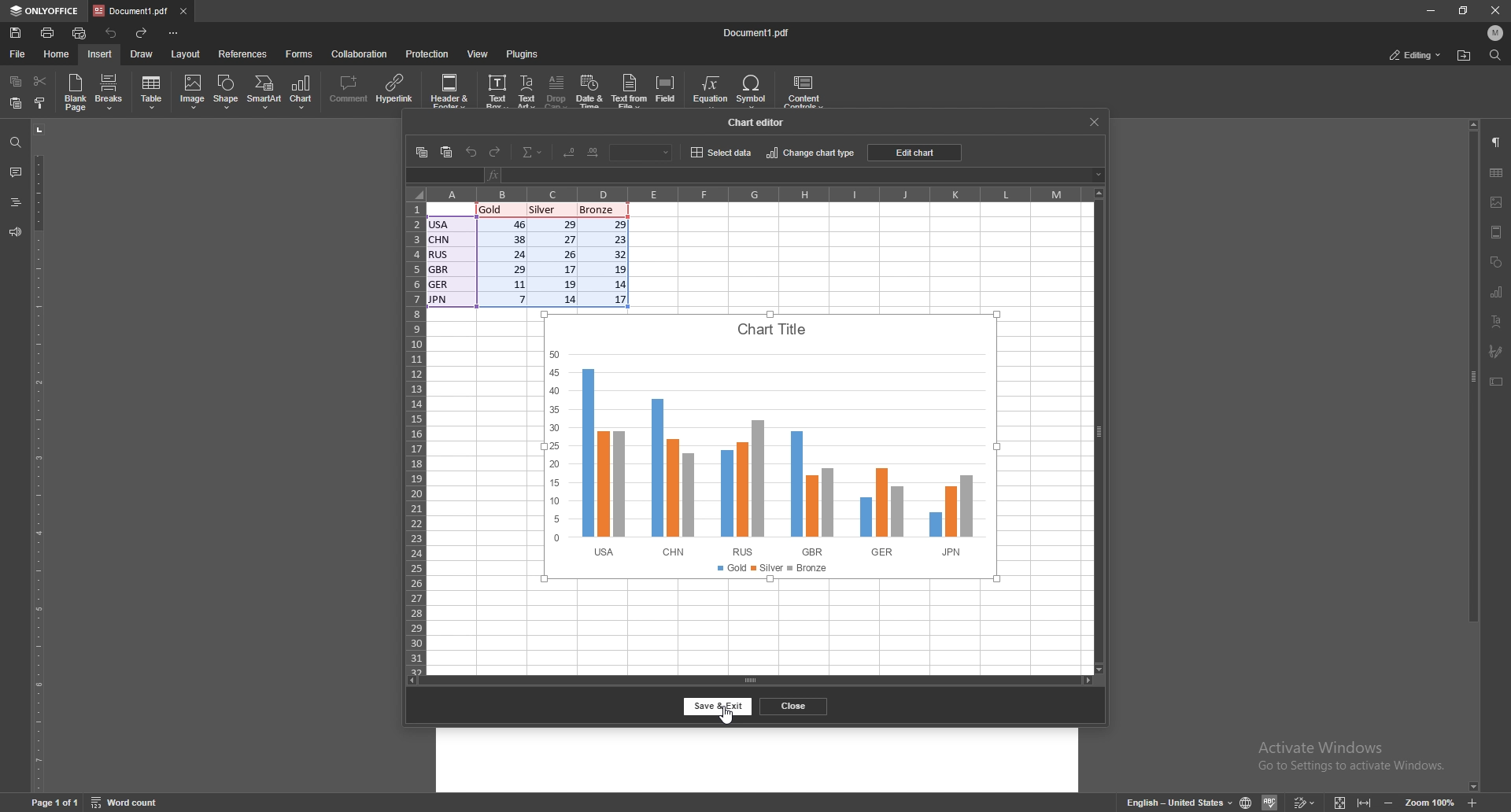 The width and height of the screenshot is (1511, 812). What do you see at coordinates (1491, 10) in the screenshot?
I see `Close` at bounding box center [1491, 10].